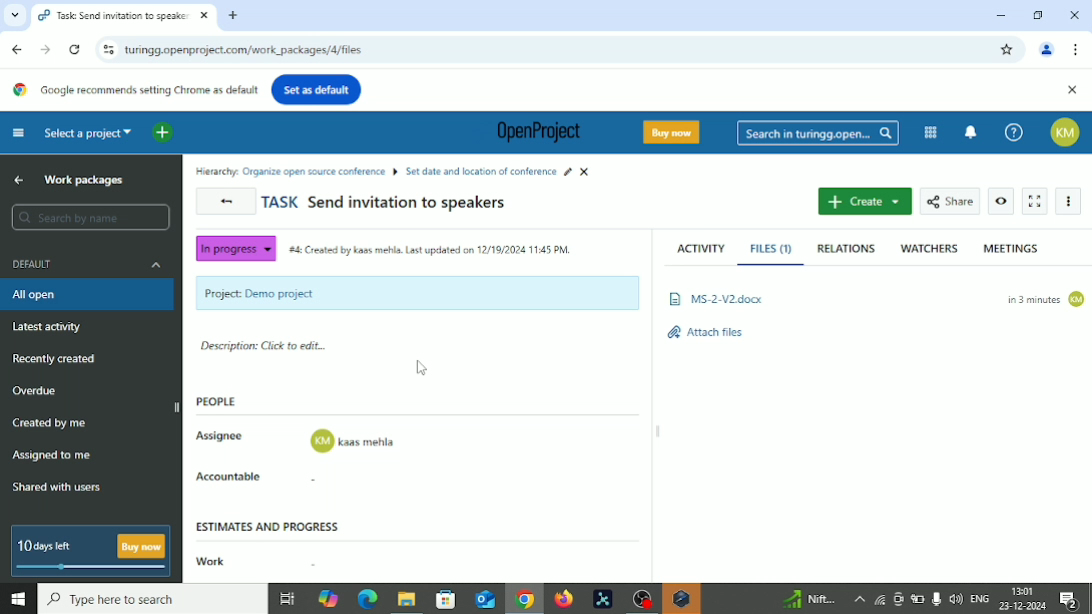 Image resolution: width=1092 pixels, height=614 pixels. I want to click on Task view, so click(287, 601).